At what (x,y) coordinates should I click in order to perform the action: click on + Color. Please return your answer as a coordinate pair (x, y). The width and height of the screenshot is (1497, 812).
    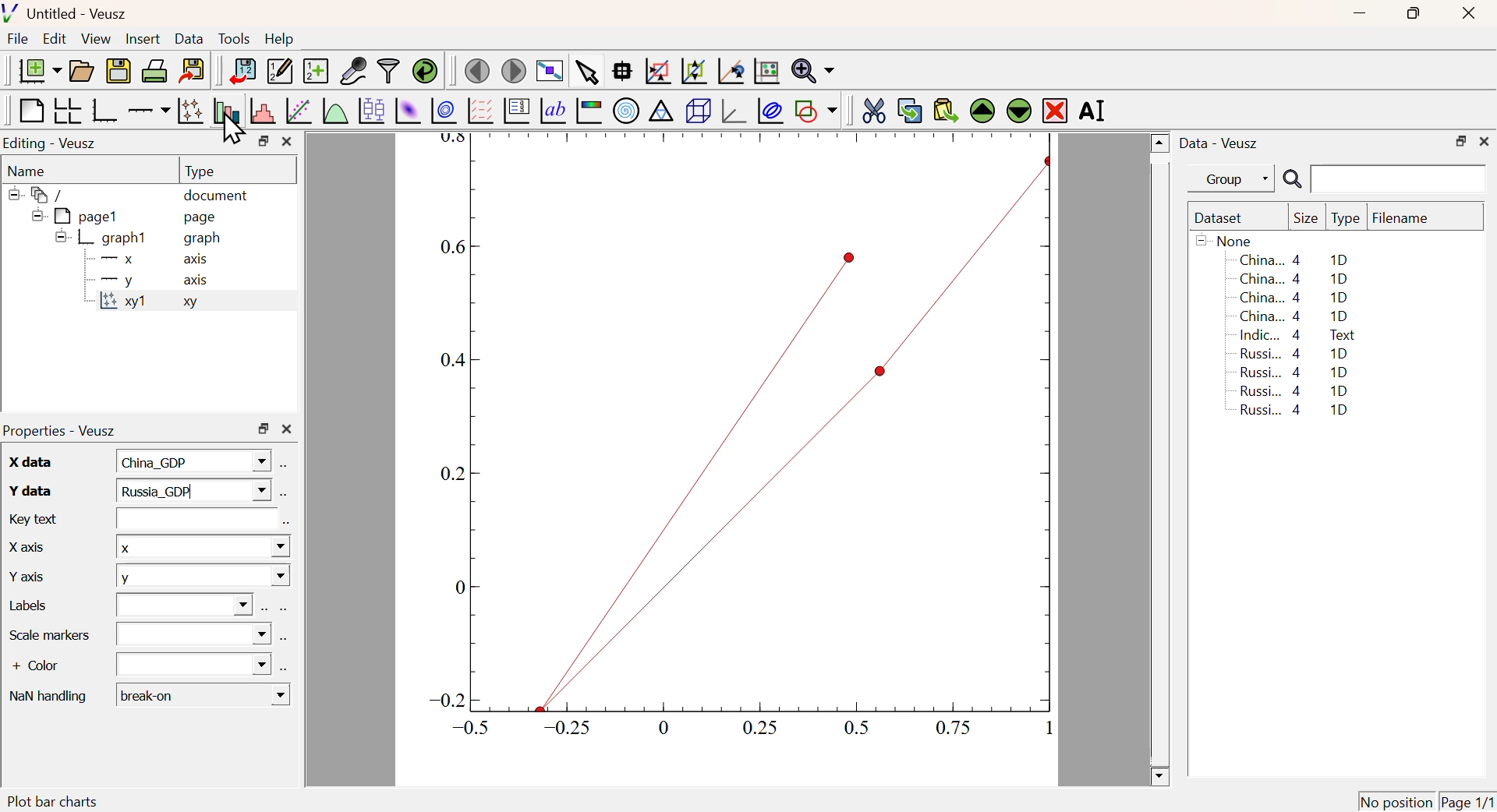
    Looking at the image, I should click on (48, 667).